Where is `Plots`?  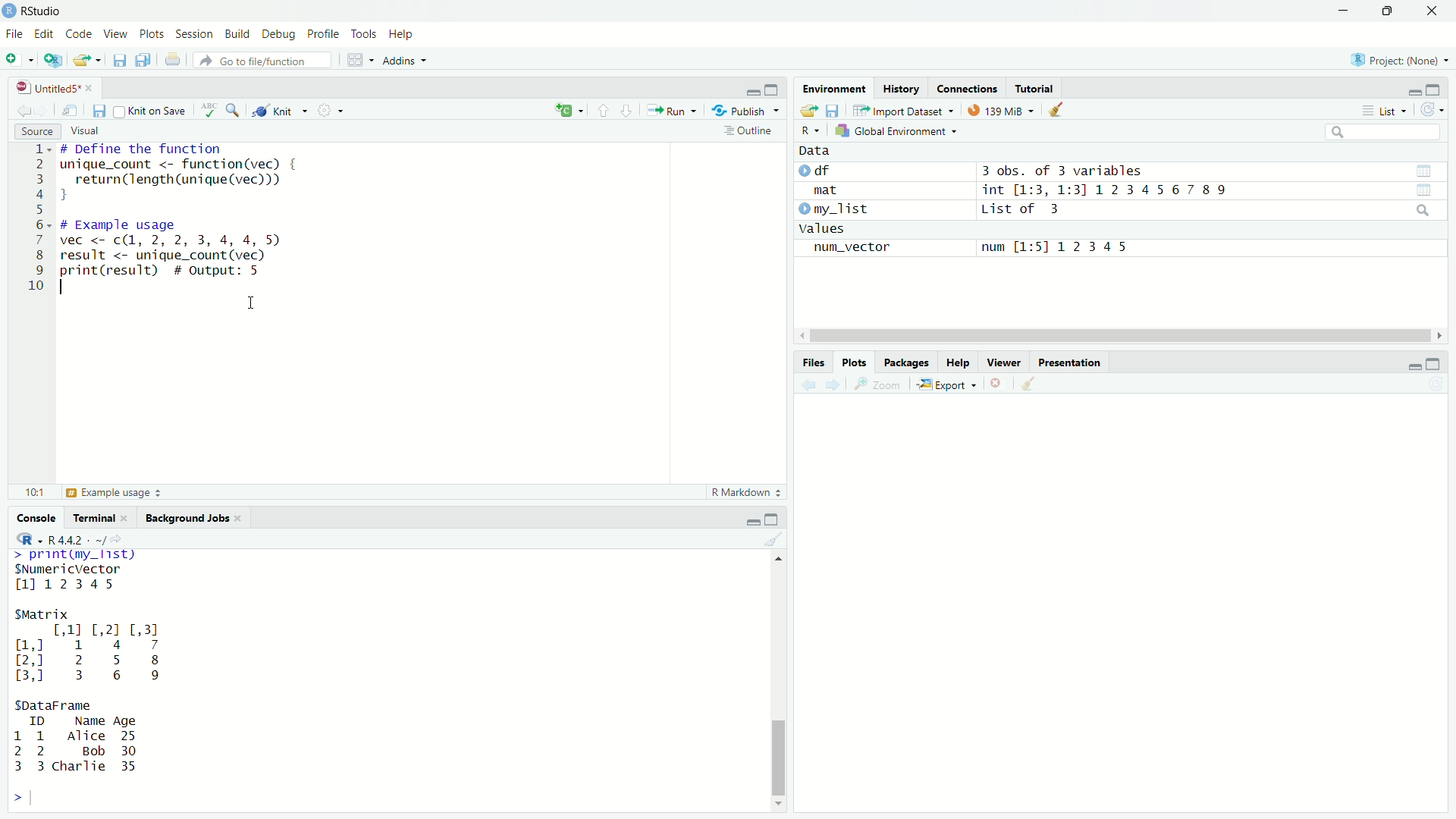
Plots is located at coordinates (856, 362).